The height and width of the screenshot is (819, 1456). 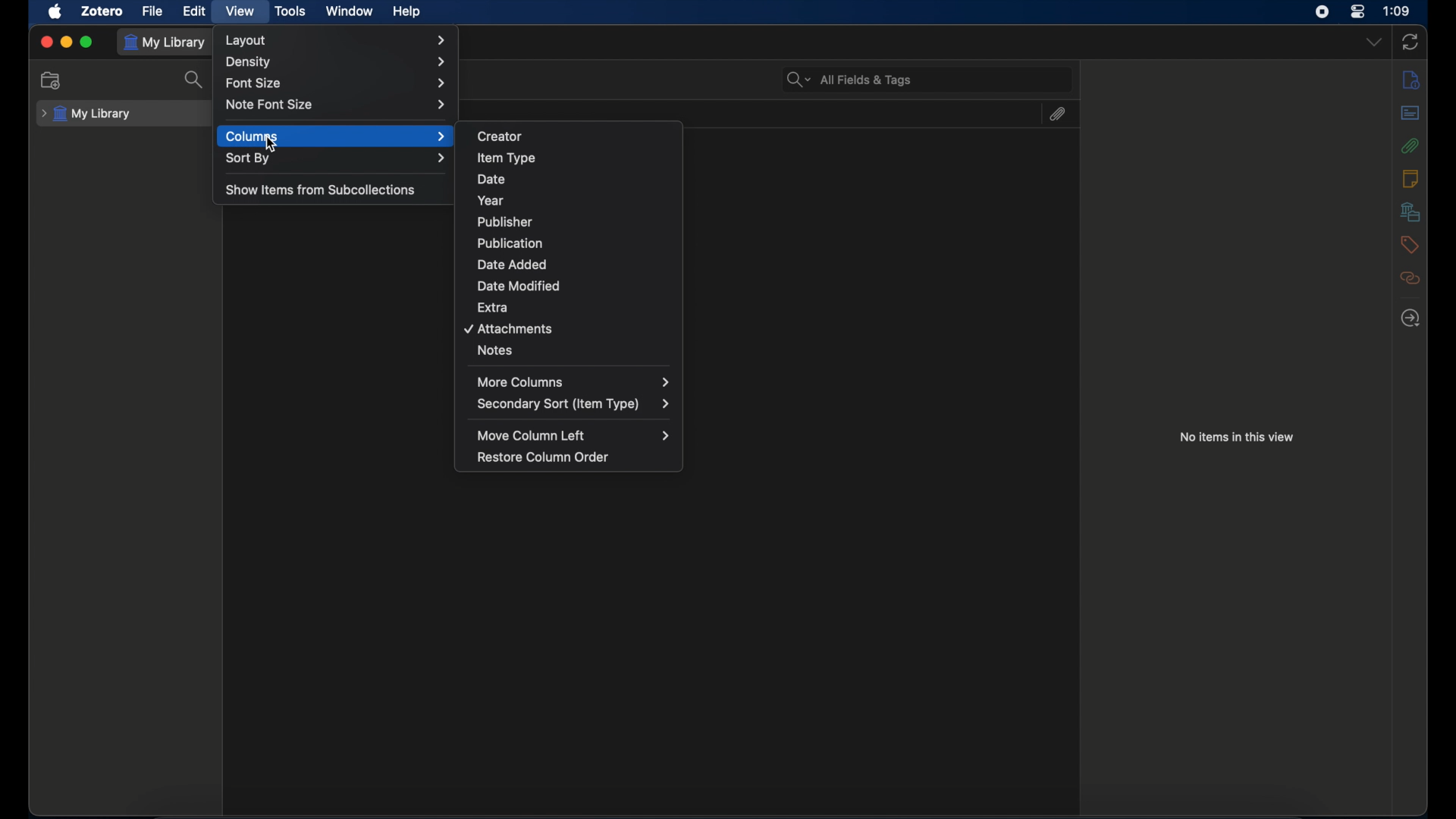 What do you see at coordinates (495, 350) in the screenshot?
I see `notes` at bounding box center [495, 350].